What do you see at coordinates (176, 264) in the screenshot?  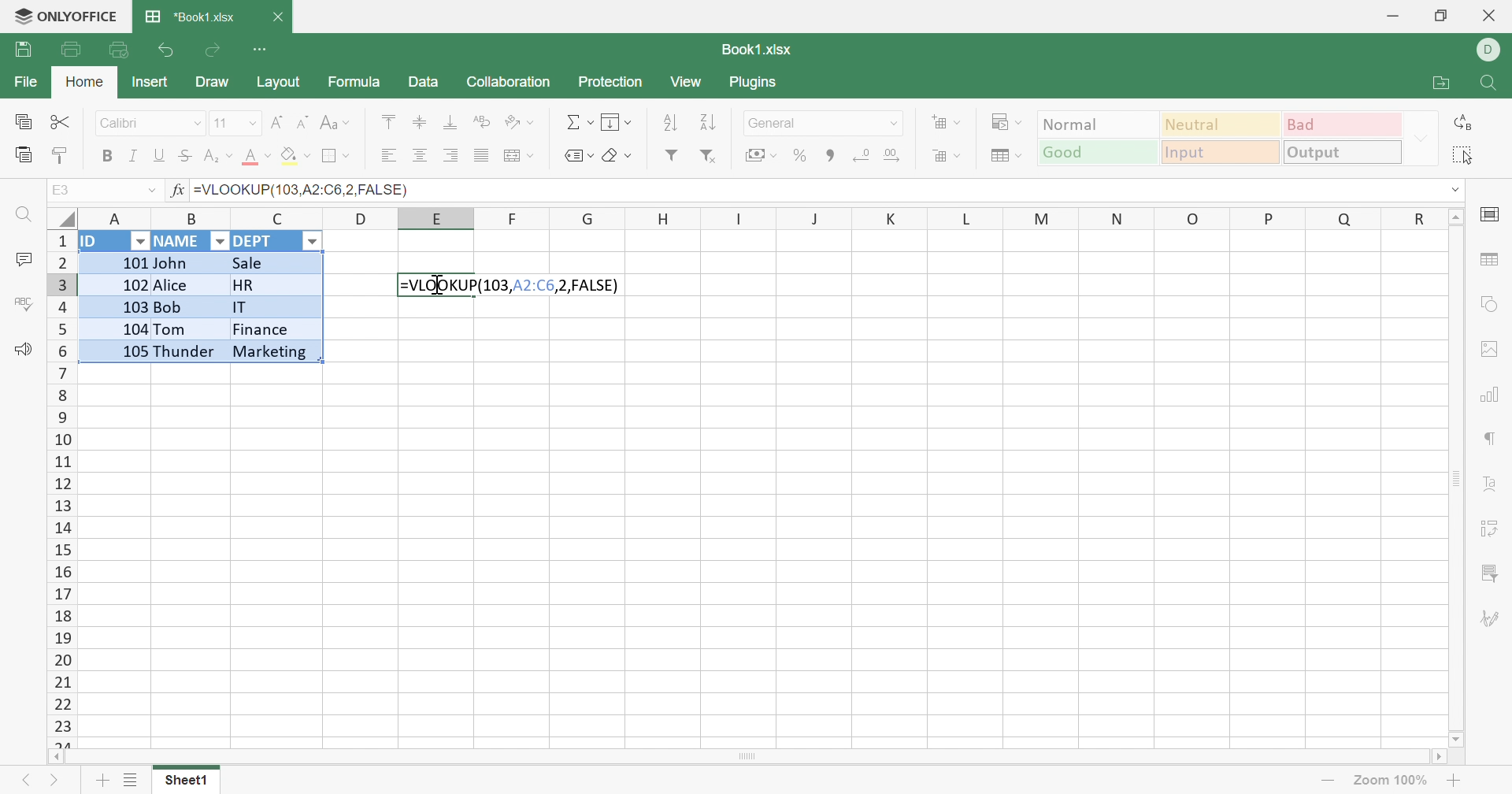 I see `John` at bounding box center [176, 264].